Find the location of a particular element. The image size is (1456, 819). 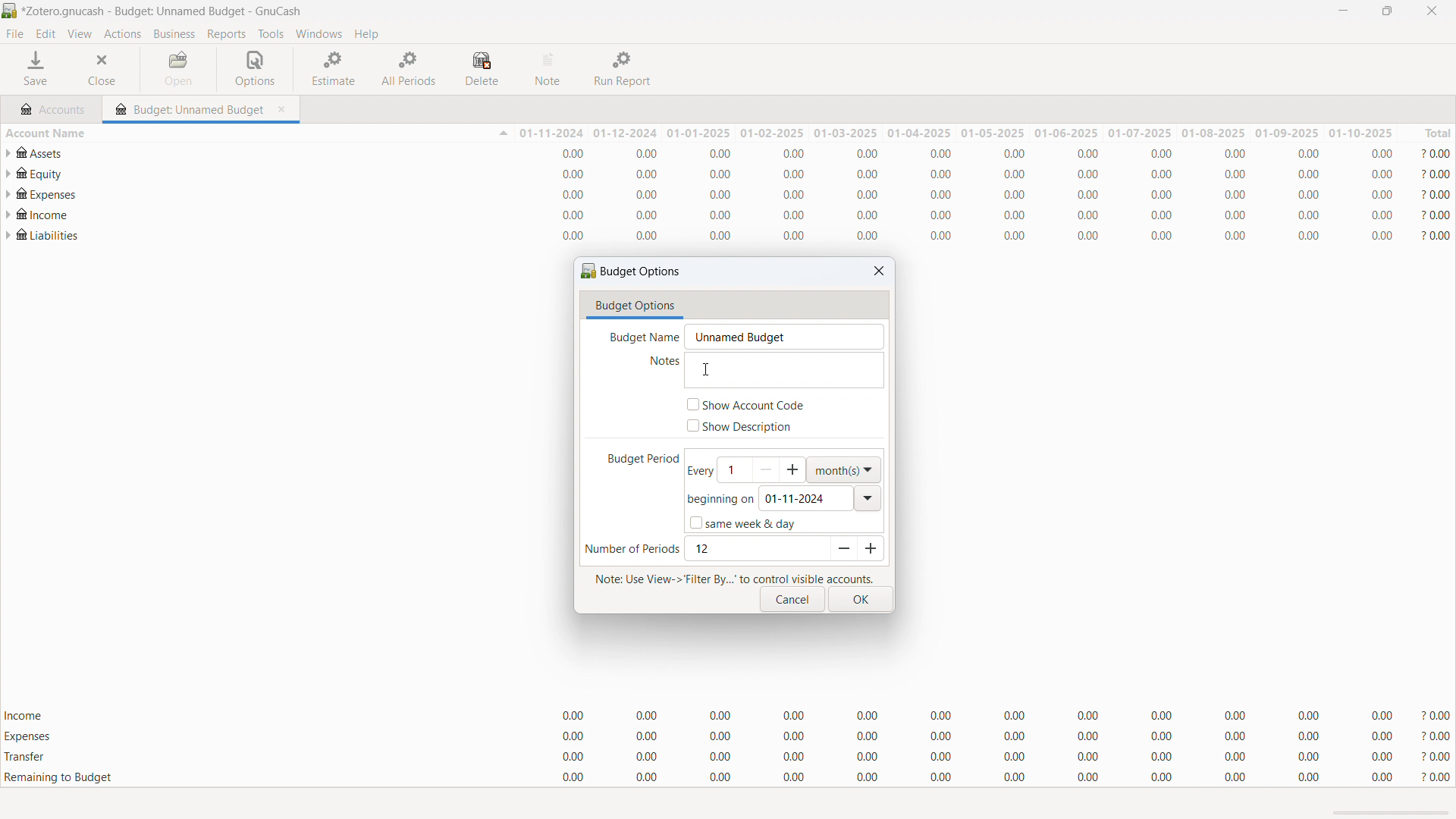

01-11-2024 is located at coordinates (551, 133).